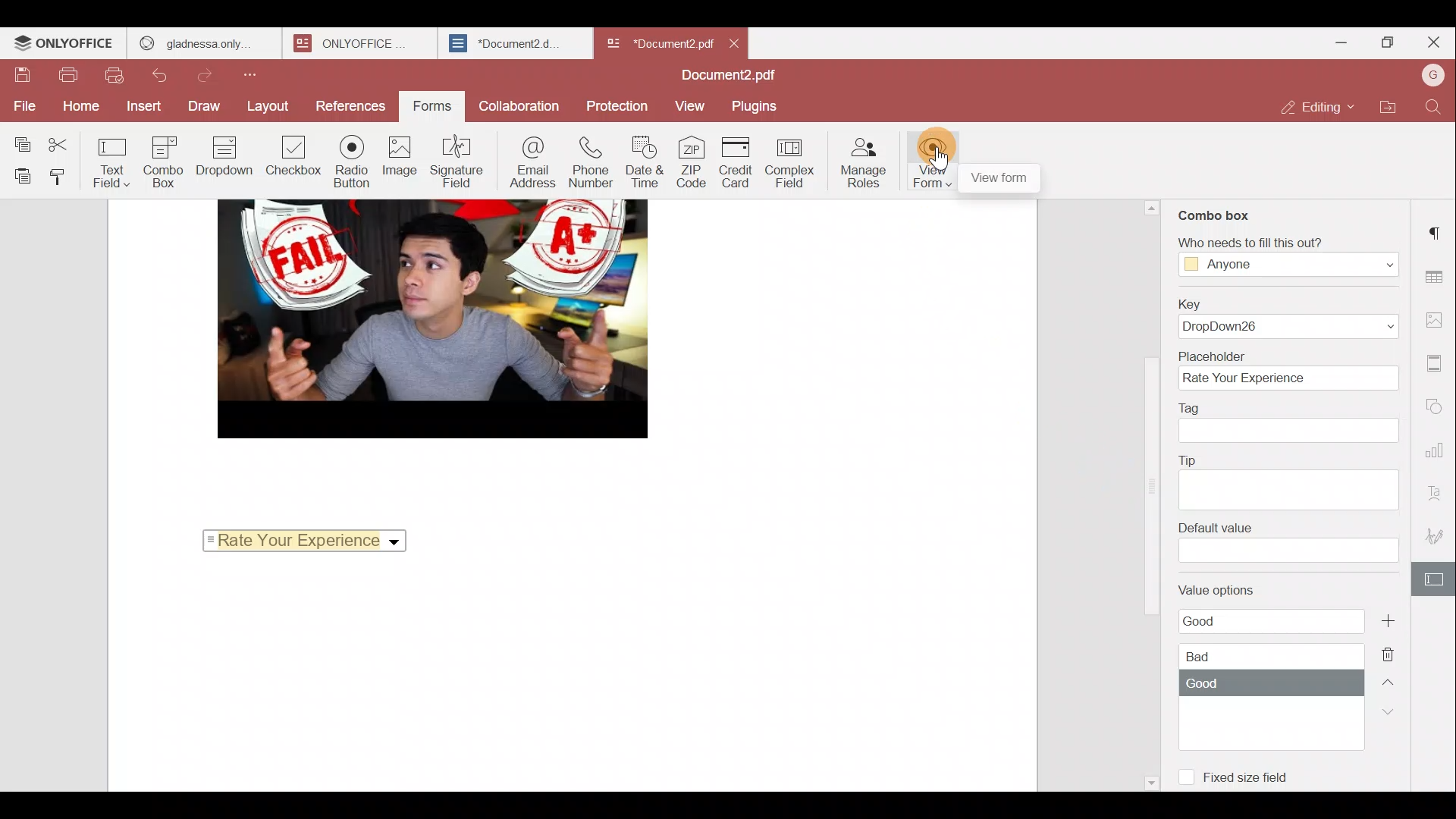 This screenshot has width=1456, height=819. I want to click on Copy style, so click(65, 177).